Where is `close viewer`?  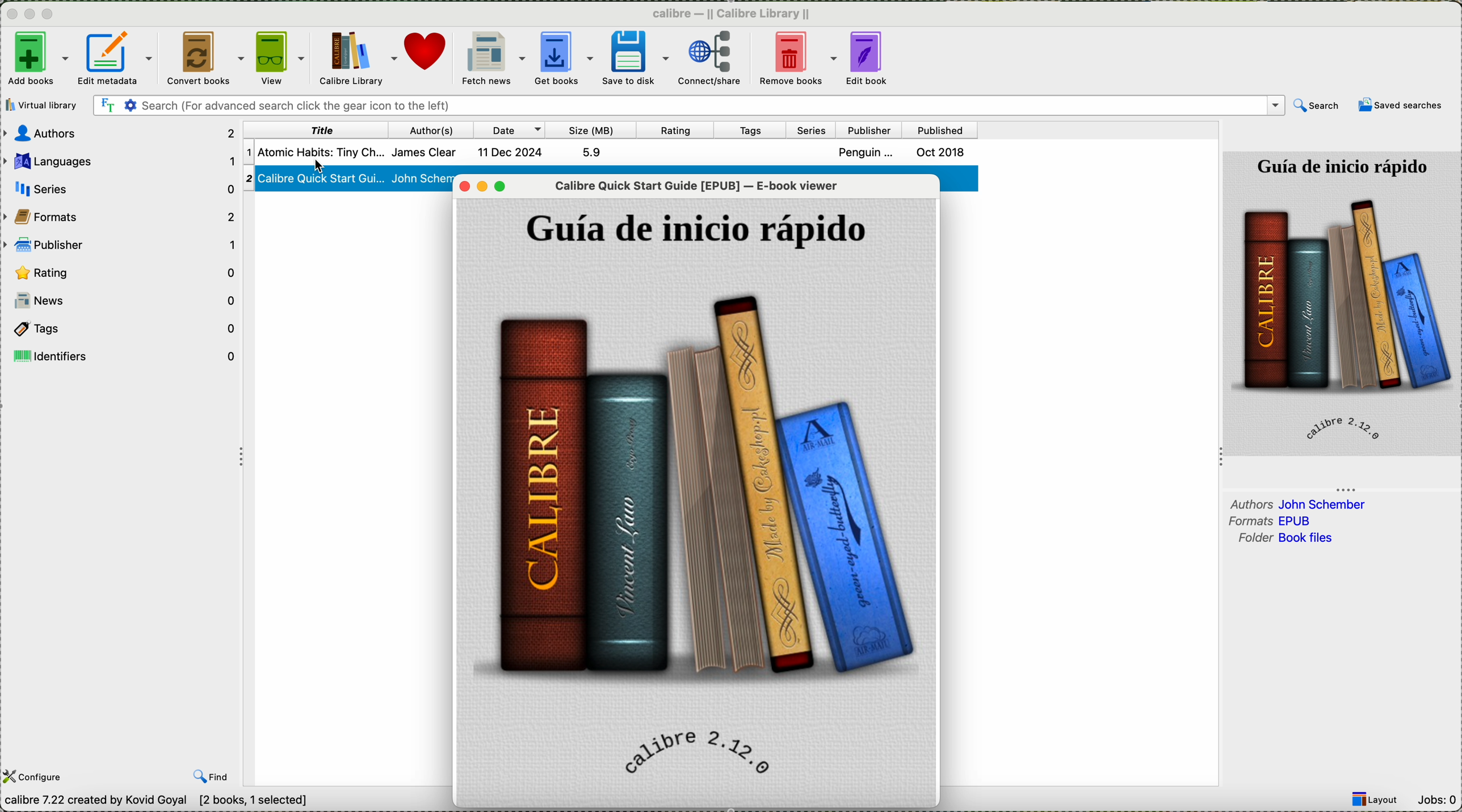
close viewer is located at coordinates (461, 186).